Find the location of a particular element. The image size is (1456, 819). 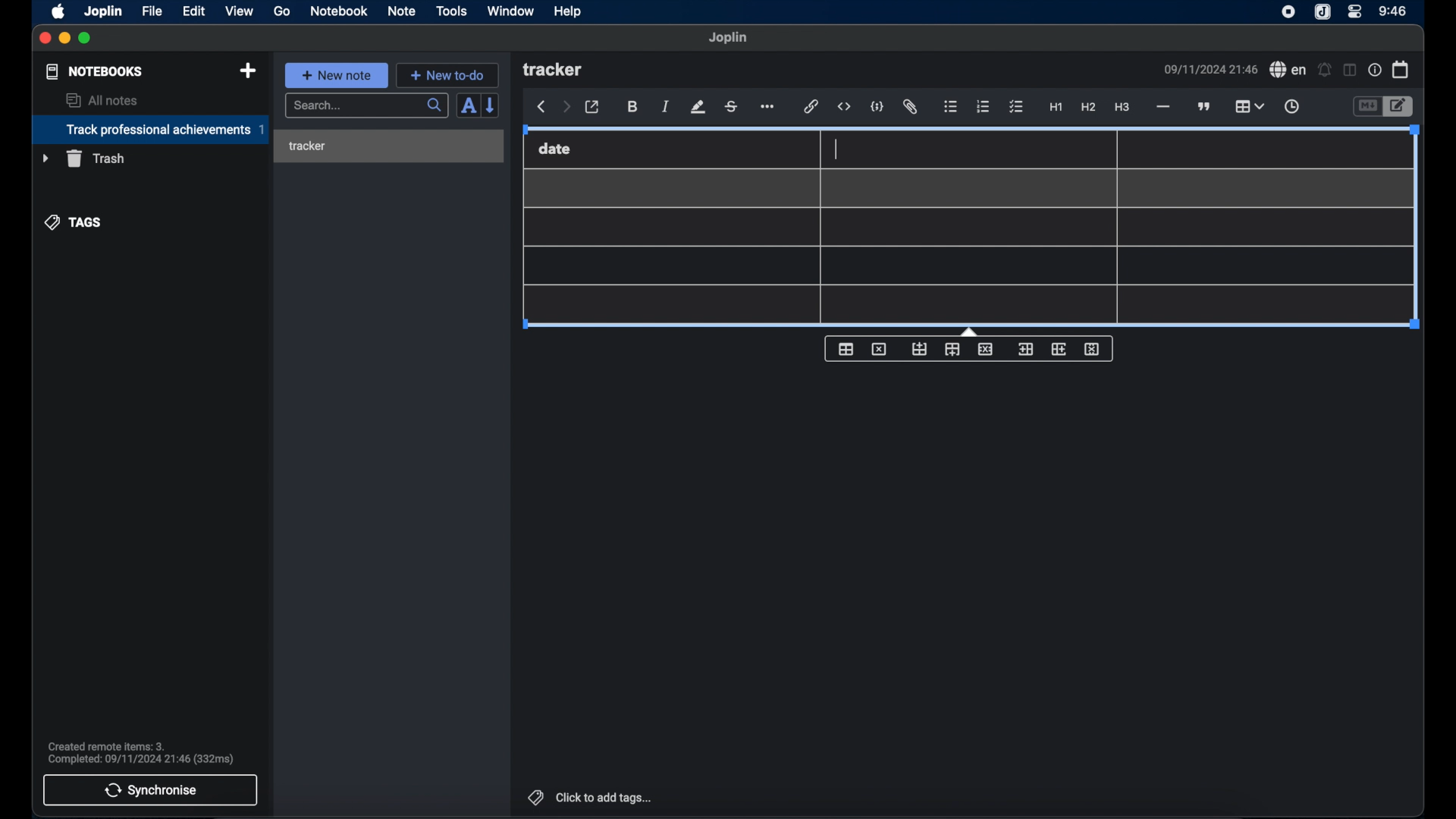

sync notification is located at coordinates (140, 753).